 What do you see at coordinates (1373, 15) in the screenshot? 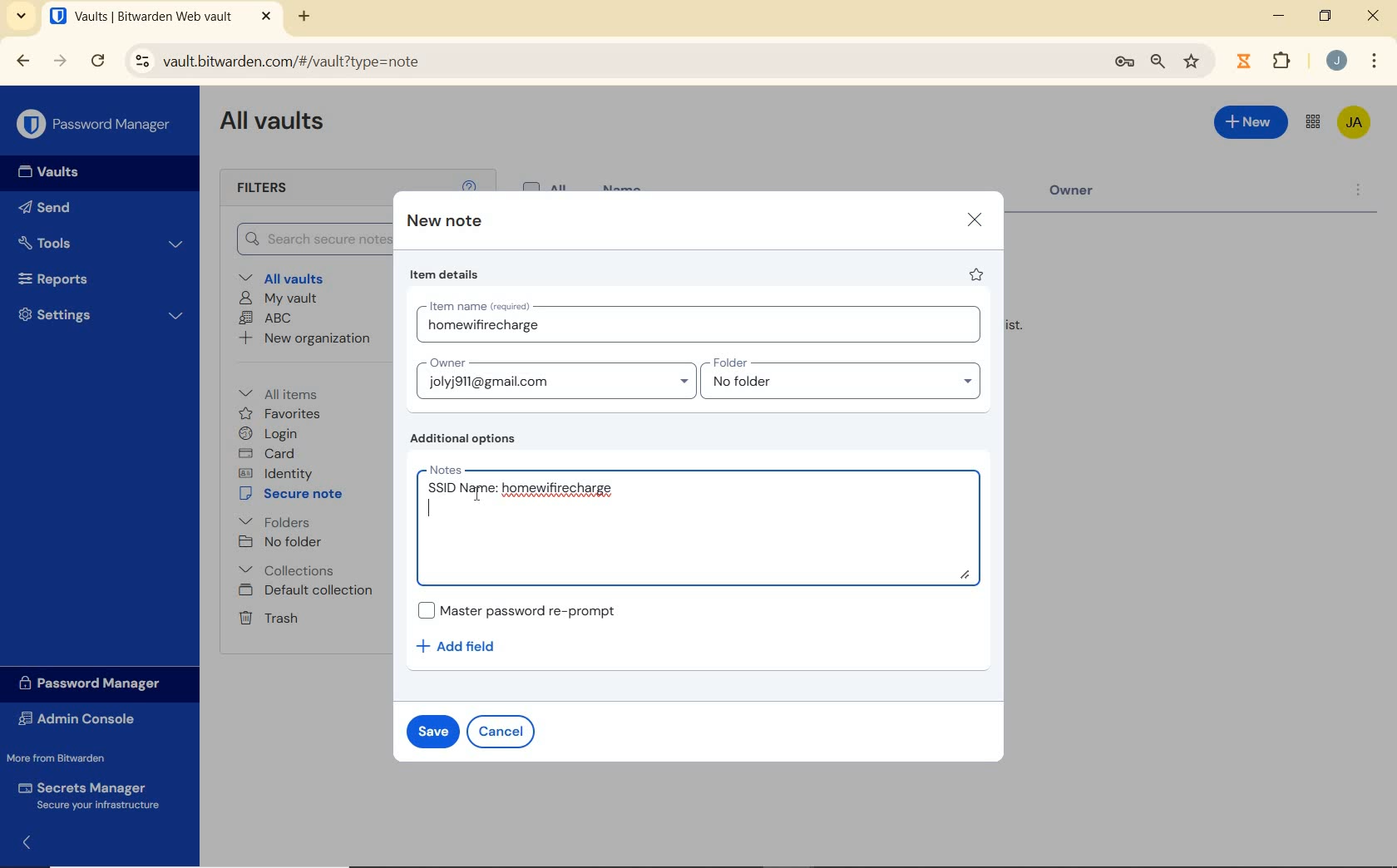
I see `close` at bounding box center [1373, 15].